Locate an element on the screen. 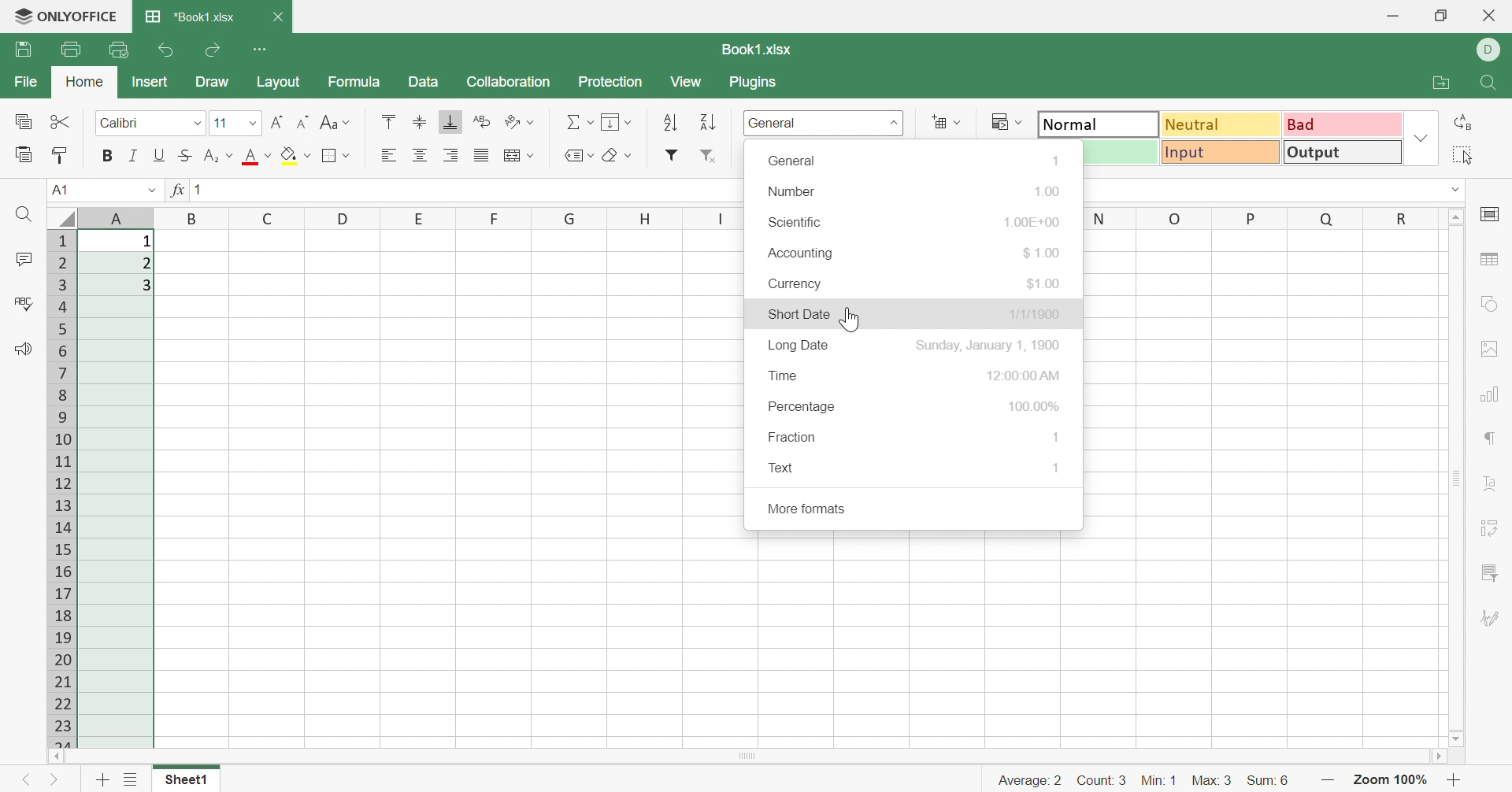 Image resolution: width=1512 pixels, height=792 pixels. Bad is located at coordinates (1342, 124).